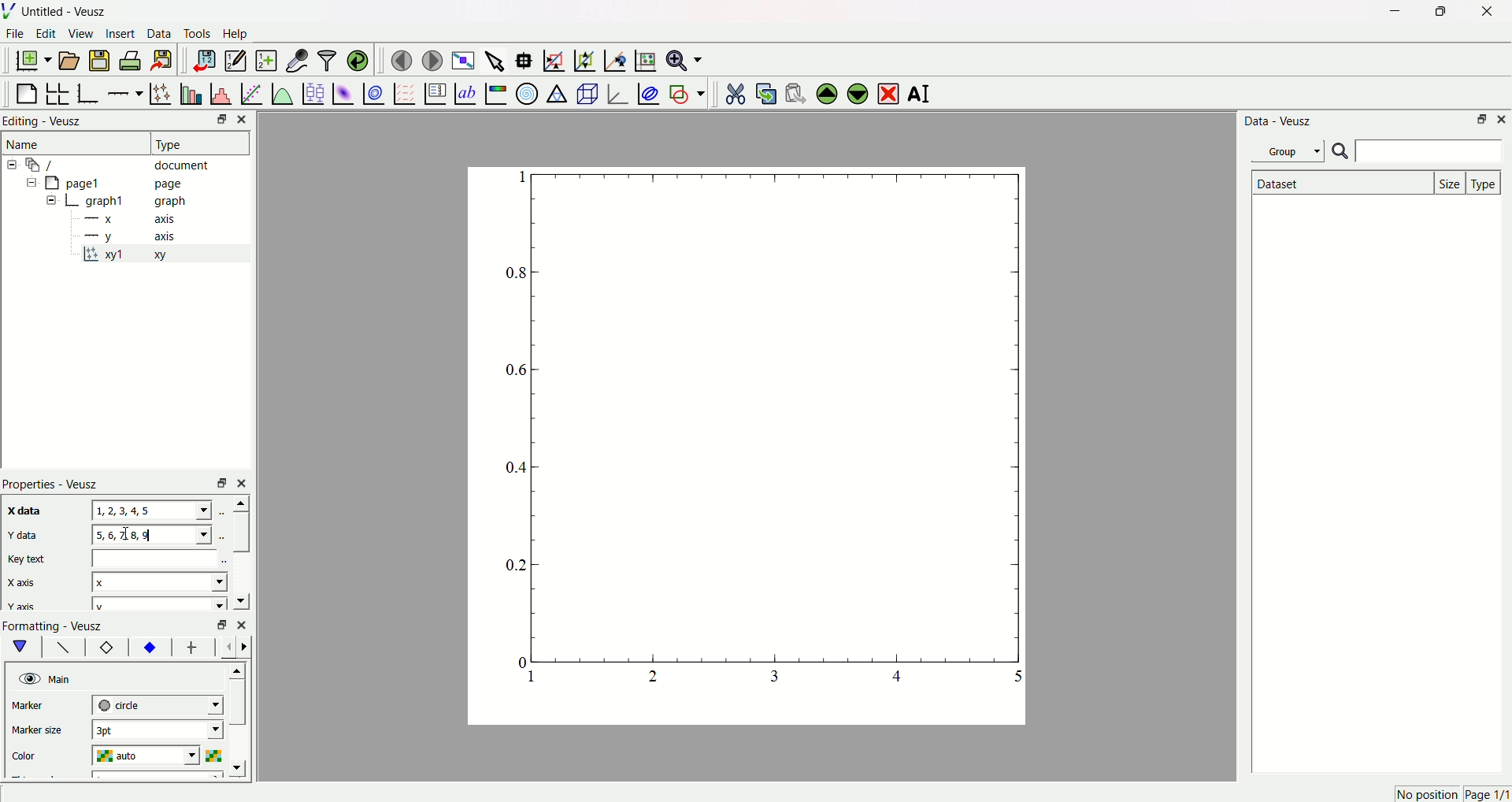  I want to click on plot a function, so click(281, 93).